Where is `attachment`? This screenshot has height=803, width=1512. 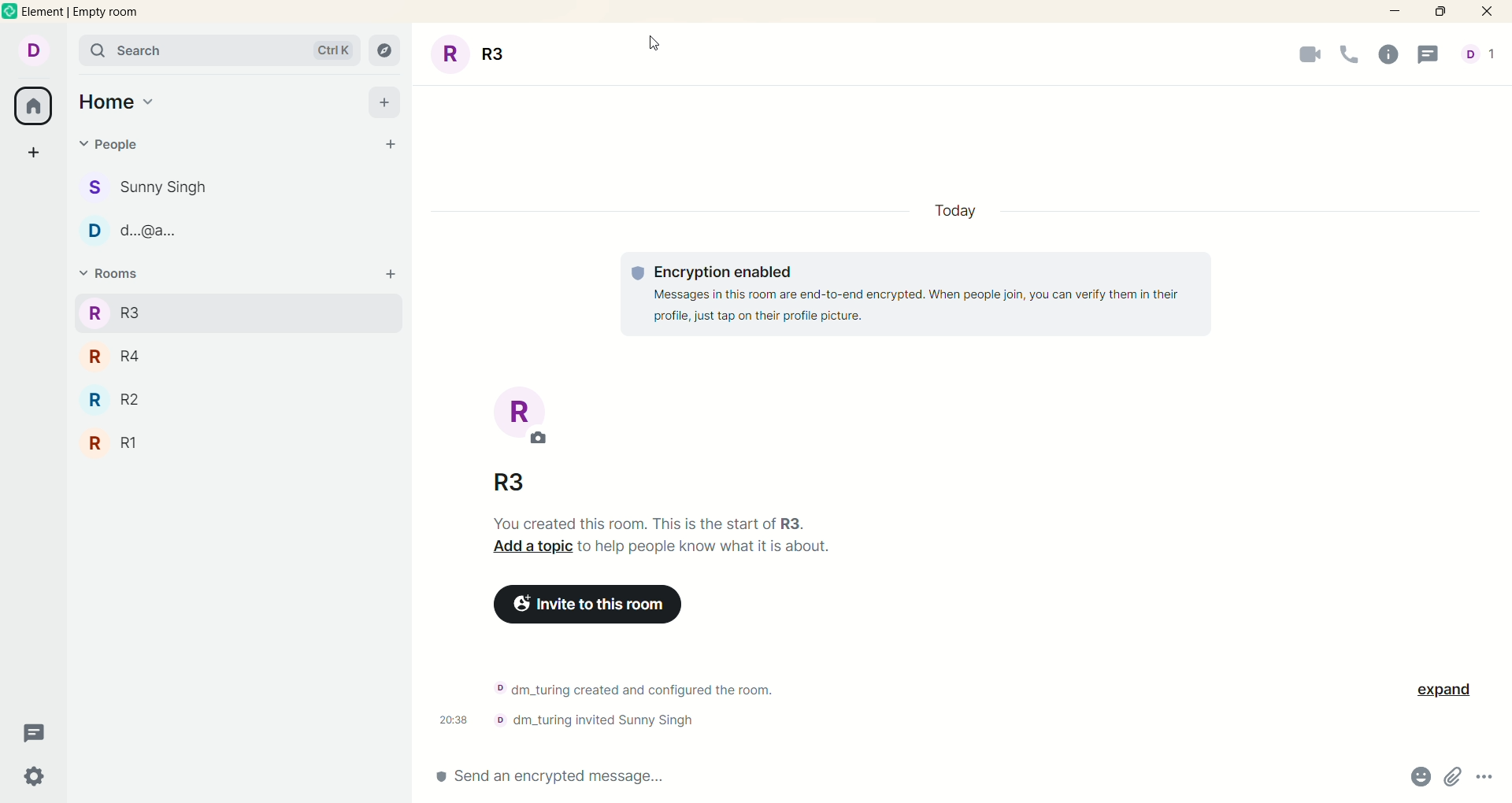
attachment is located at coordinates (1453, 779).